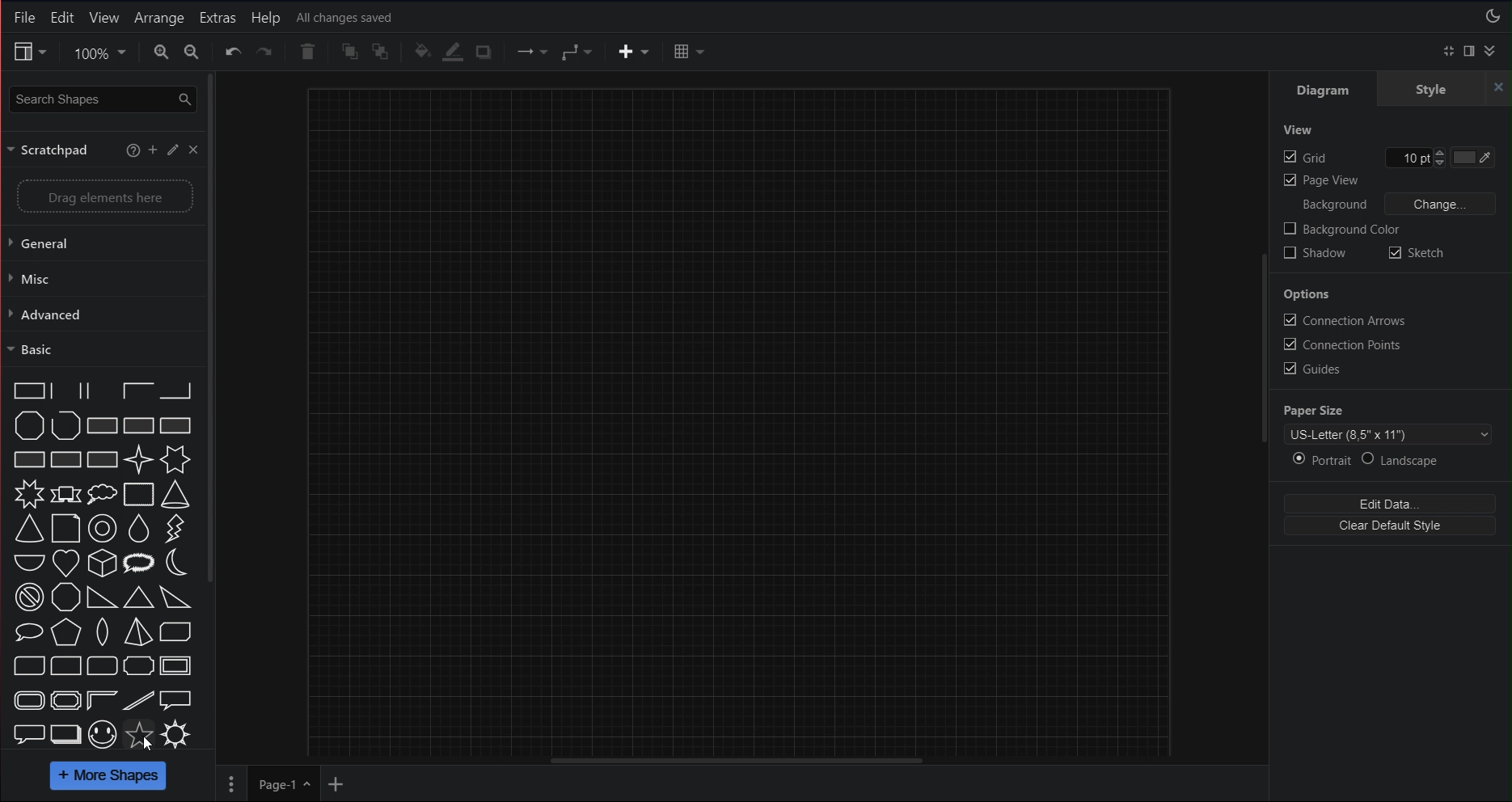 Image resolution: width=1512 pixels, height=802 pixels. I want to click on frame corner, so click(101, 699).